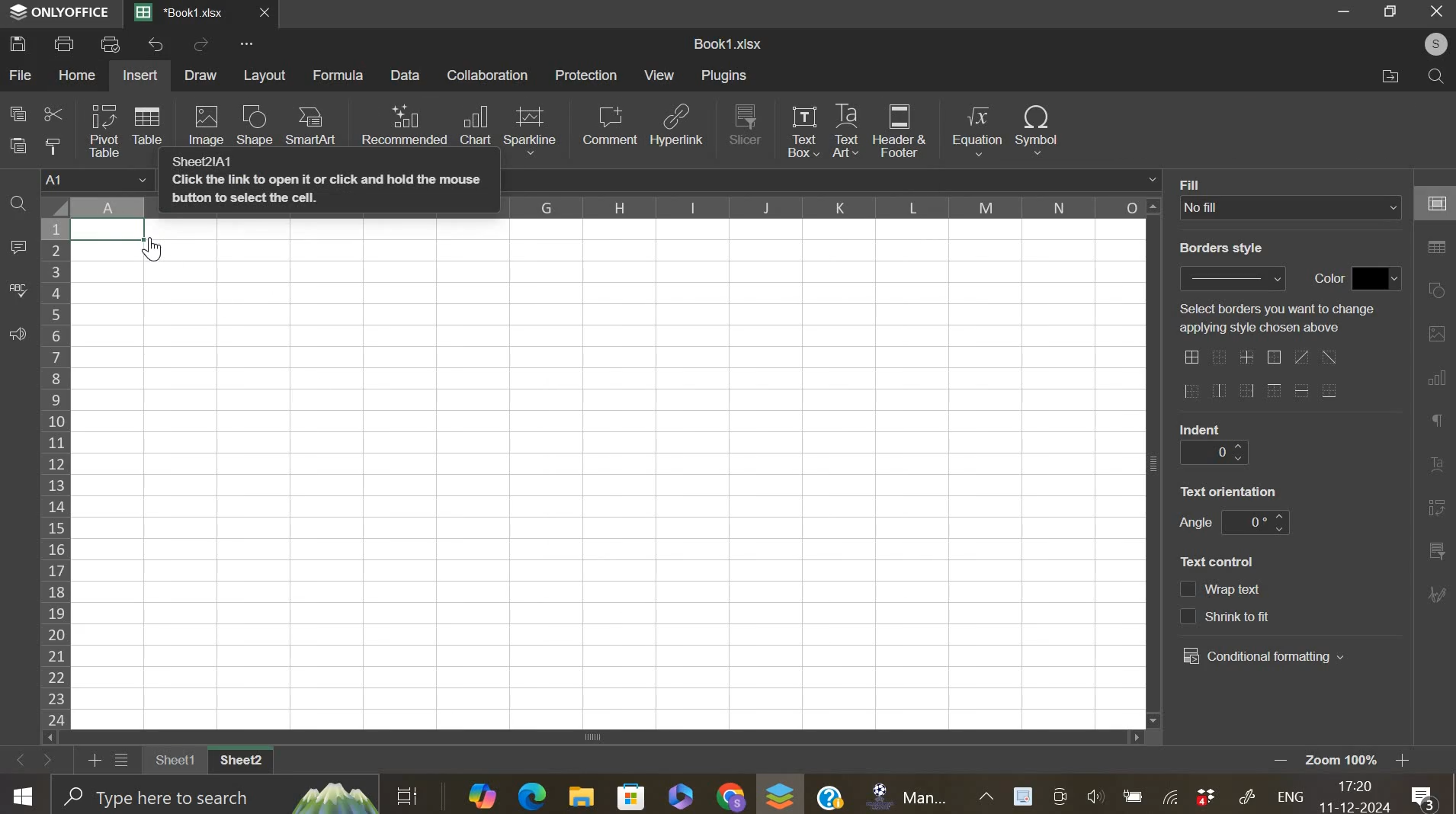  Describe the element at coordinates (976, 131) in the screenshot. I see `equation` at that location.